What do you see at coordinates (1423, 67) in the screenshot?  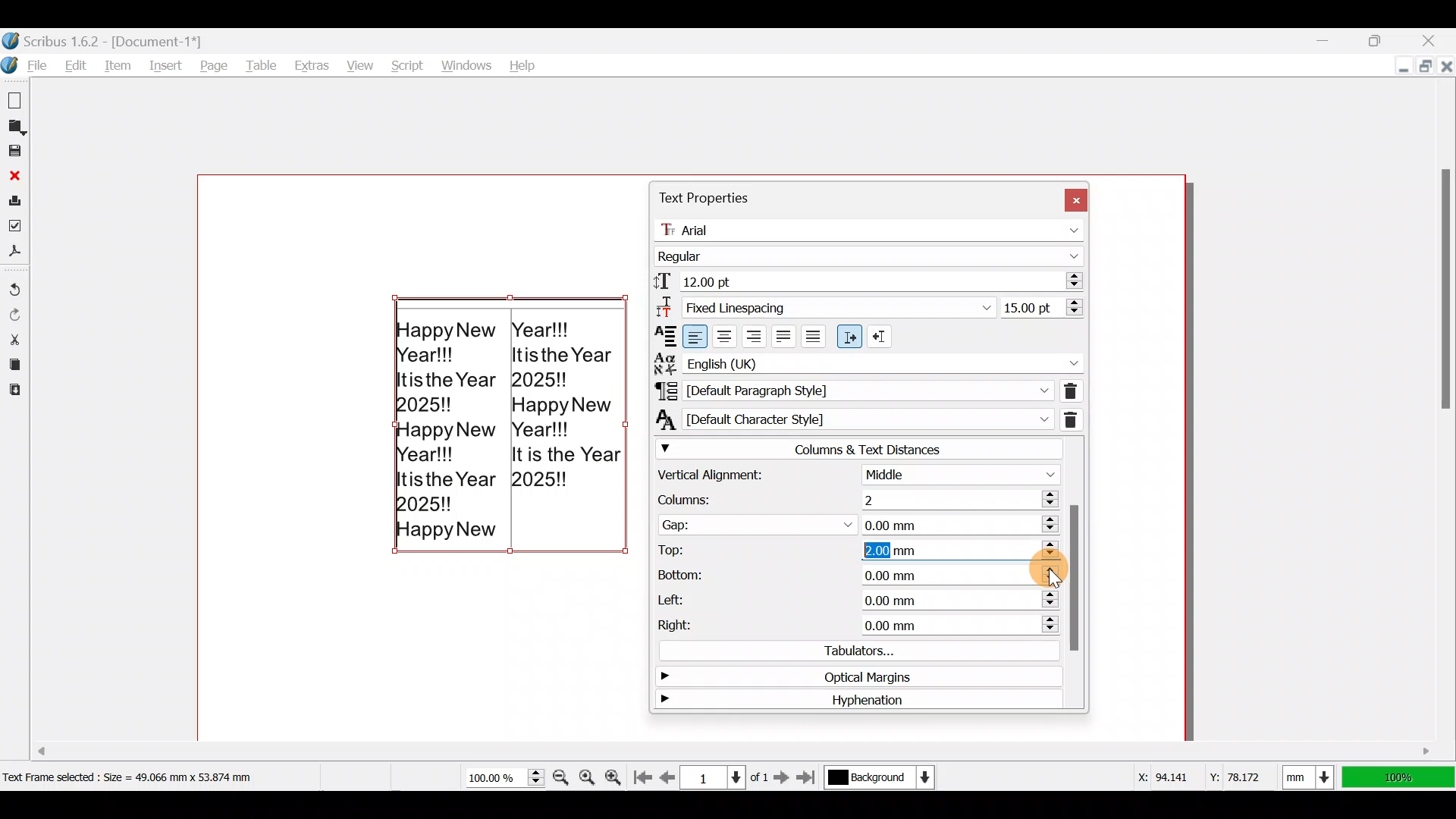 I see `Maximize` at bounding box center [1423, 67].